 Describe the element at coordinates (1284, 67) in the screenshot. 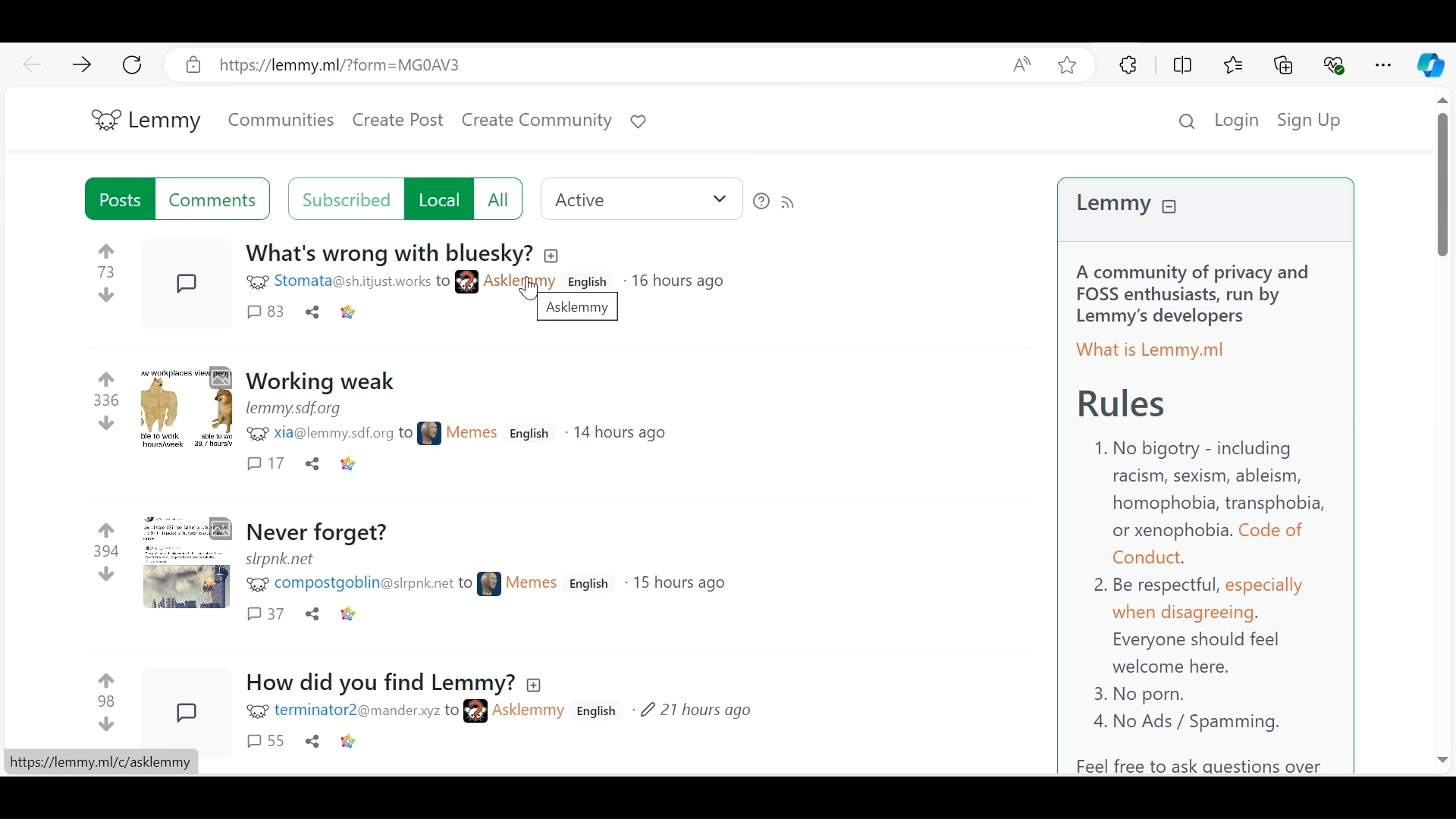

I see `Collections` at that location.